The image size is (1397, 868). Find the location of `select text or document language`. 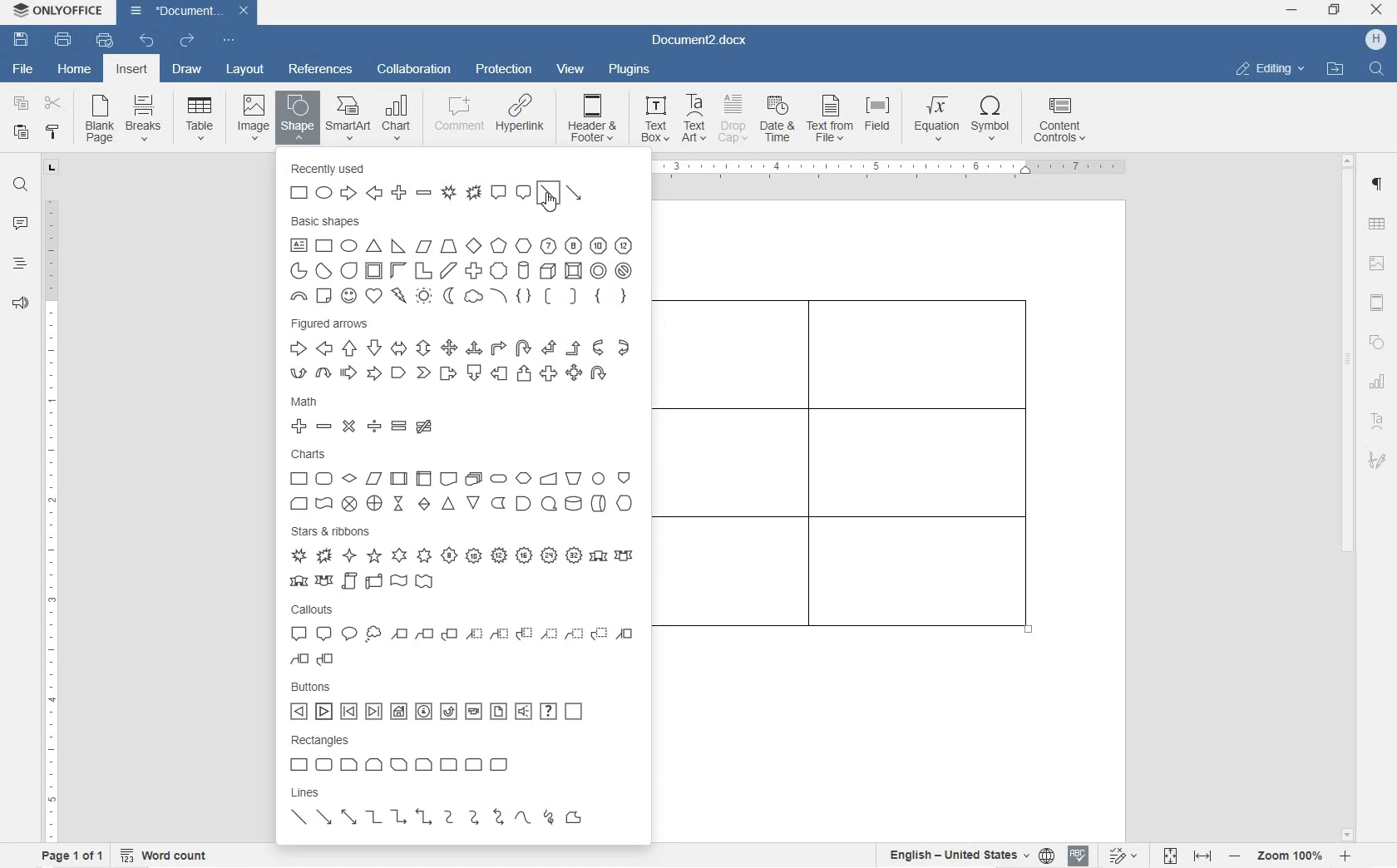

select text or document language is located at coordinates (969, 857).